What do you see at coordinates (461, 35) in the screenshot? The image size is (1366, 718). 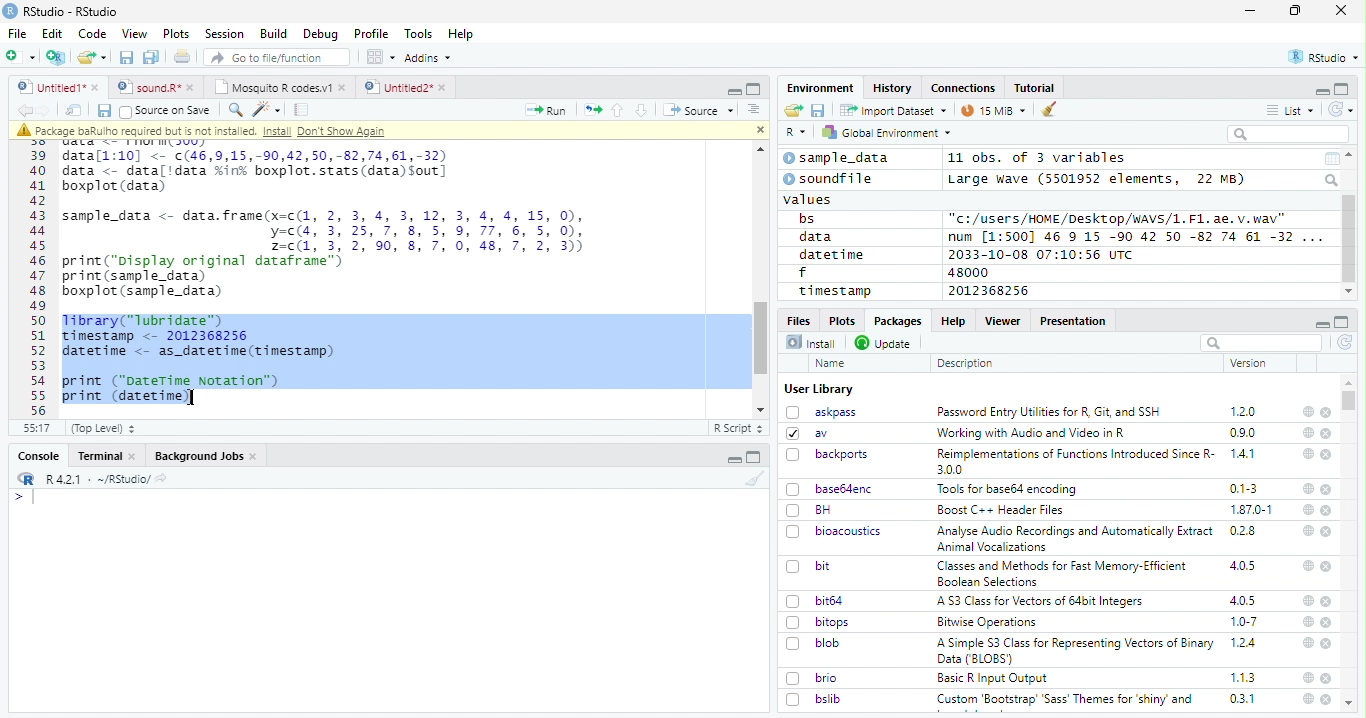 I see `Help` at bounding box center [461, 35].